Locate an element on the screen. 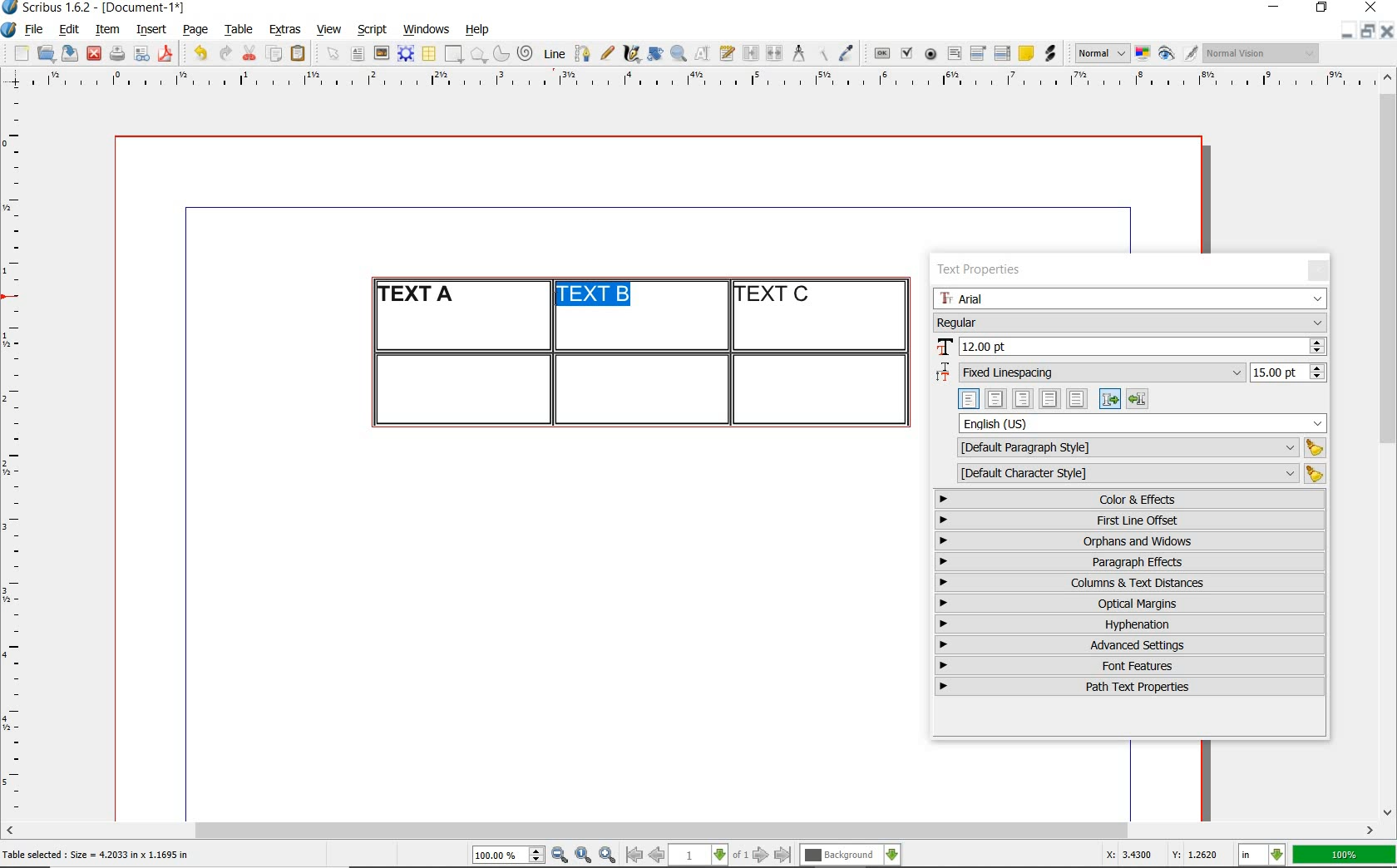 This screenshot has height=868, width=1397. font features is located at coordinates (1130, 665).